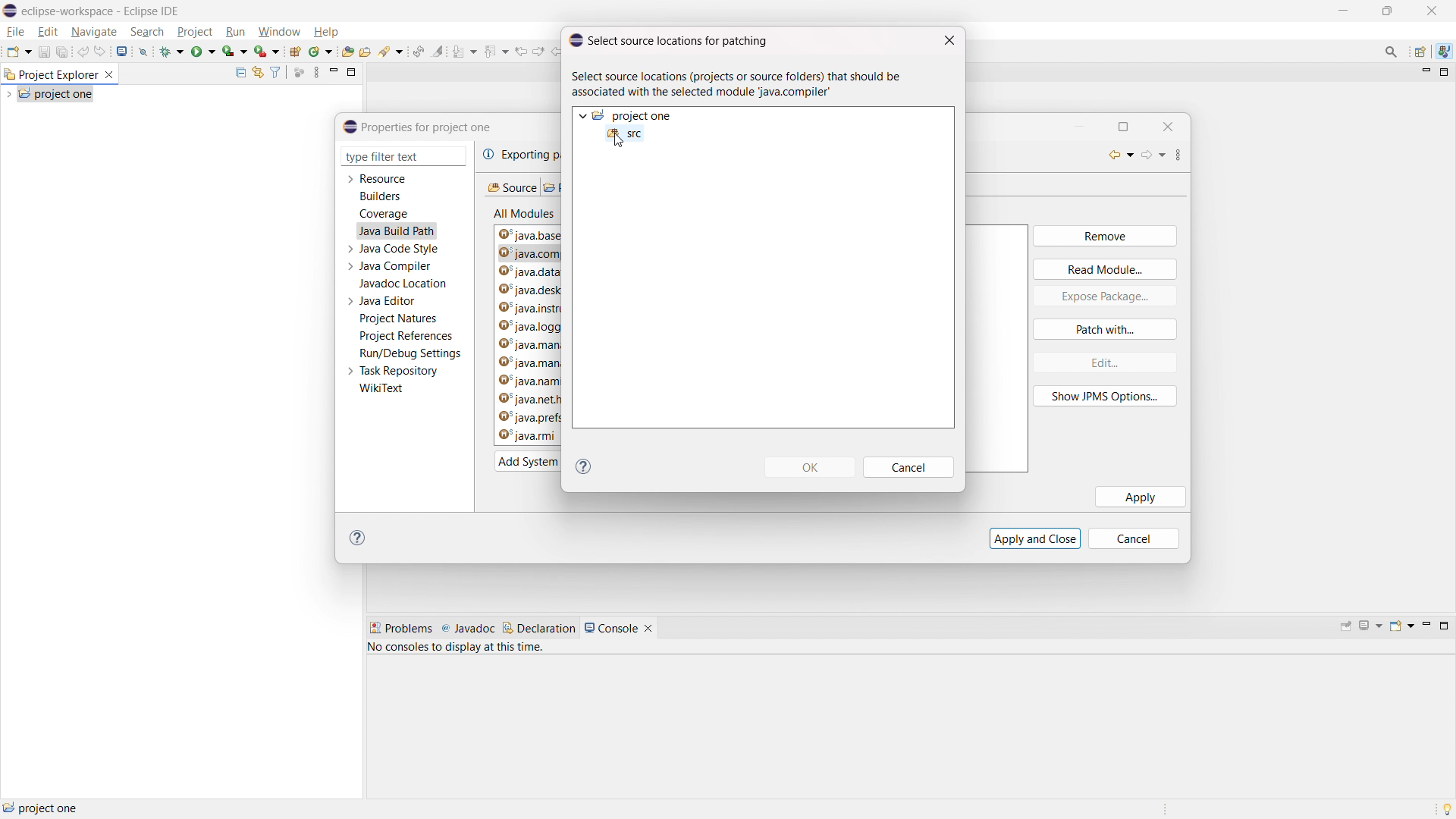  I want to click on coverage, so click(384, 214).